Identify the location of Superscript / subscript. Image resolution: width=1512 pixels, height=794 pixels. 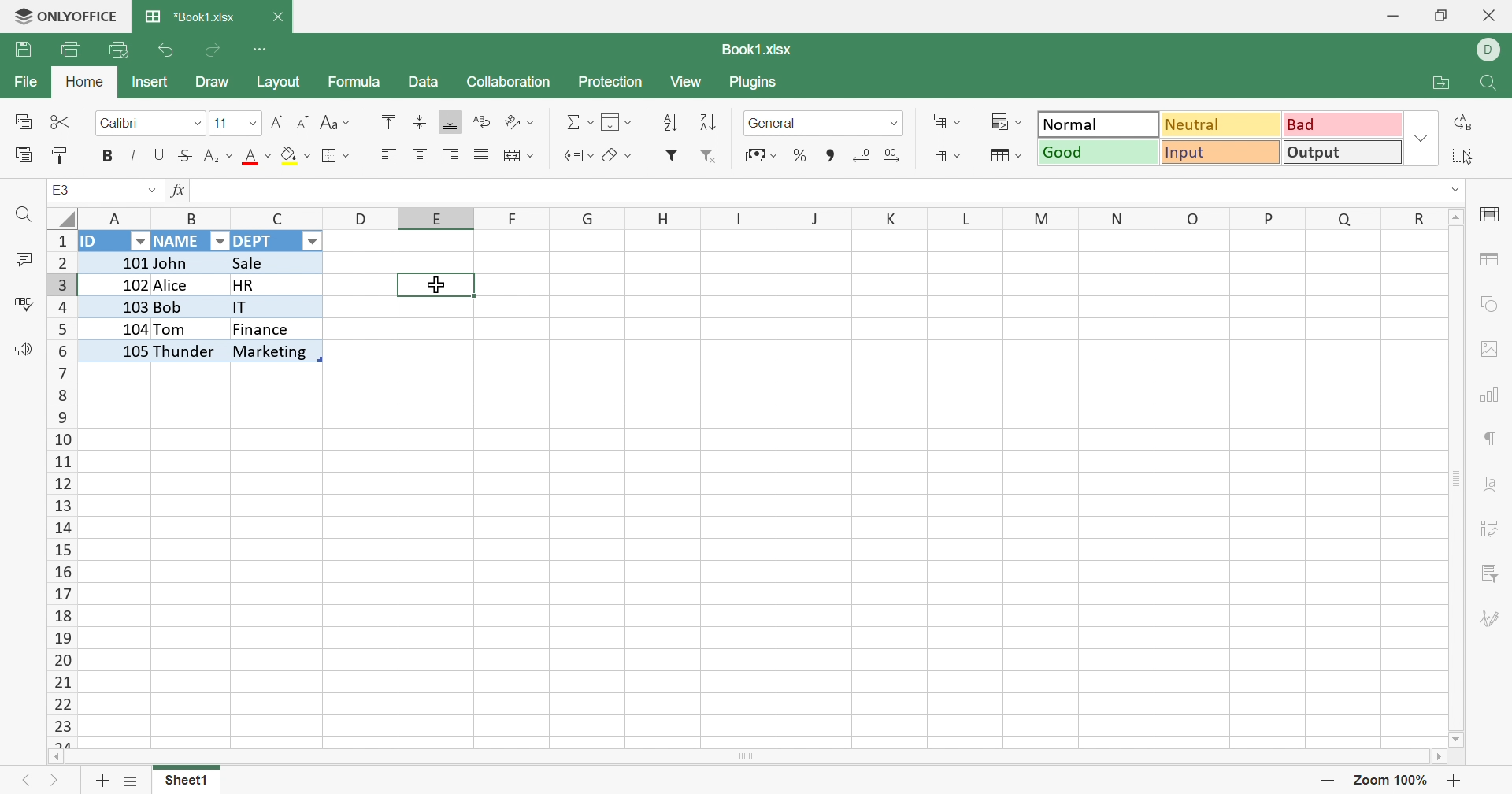
(219, 157).